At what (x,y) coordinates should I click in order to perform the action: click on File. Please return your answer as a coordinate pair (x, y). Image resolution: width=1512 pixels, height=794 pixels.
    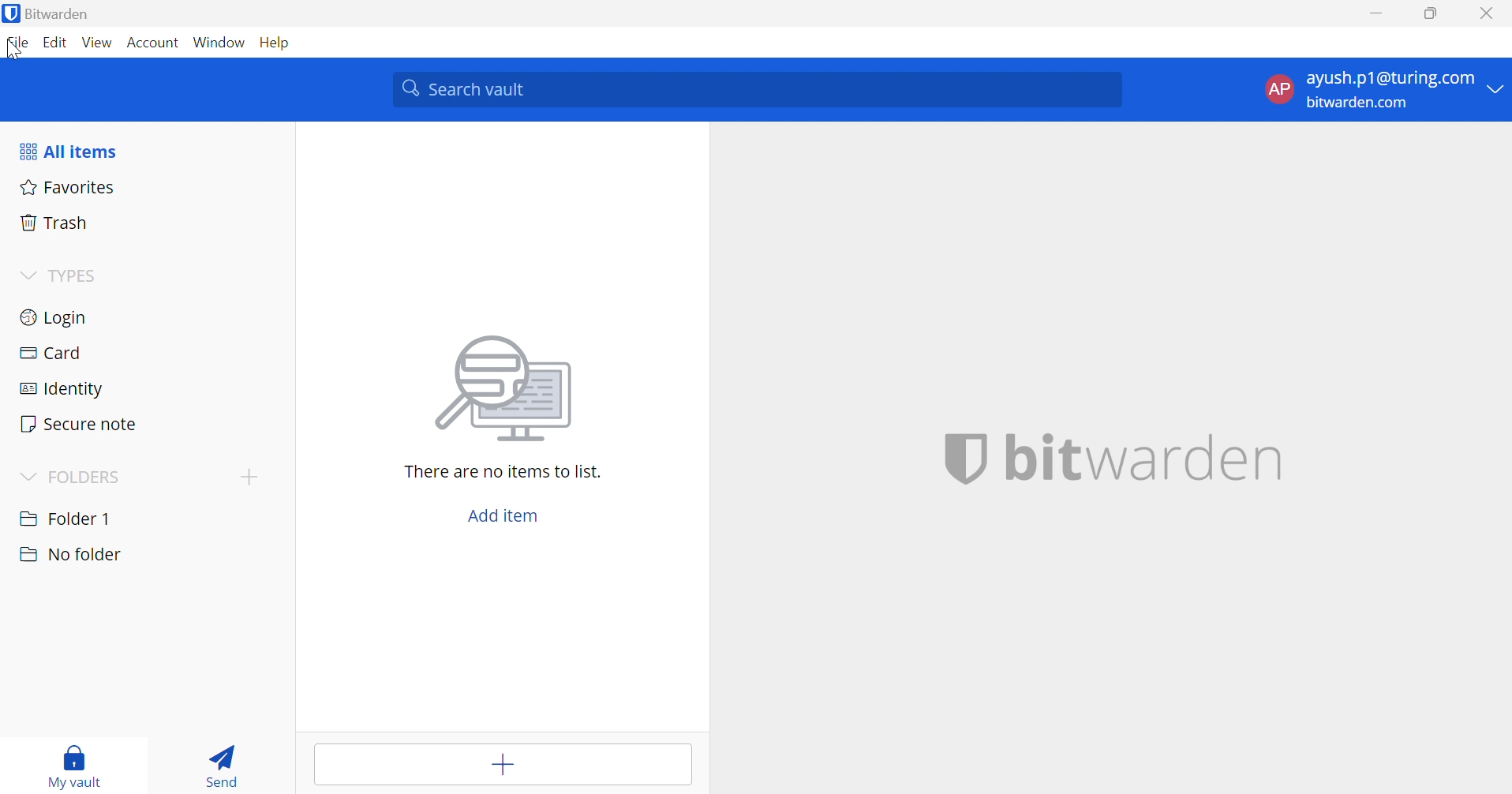
    Looking at the image, I should click on (21, 43).